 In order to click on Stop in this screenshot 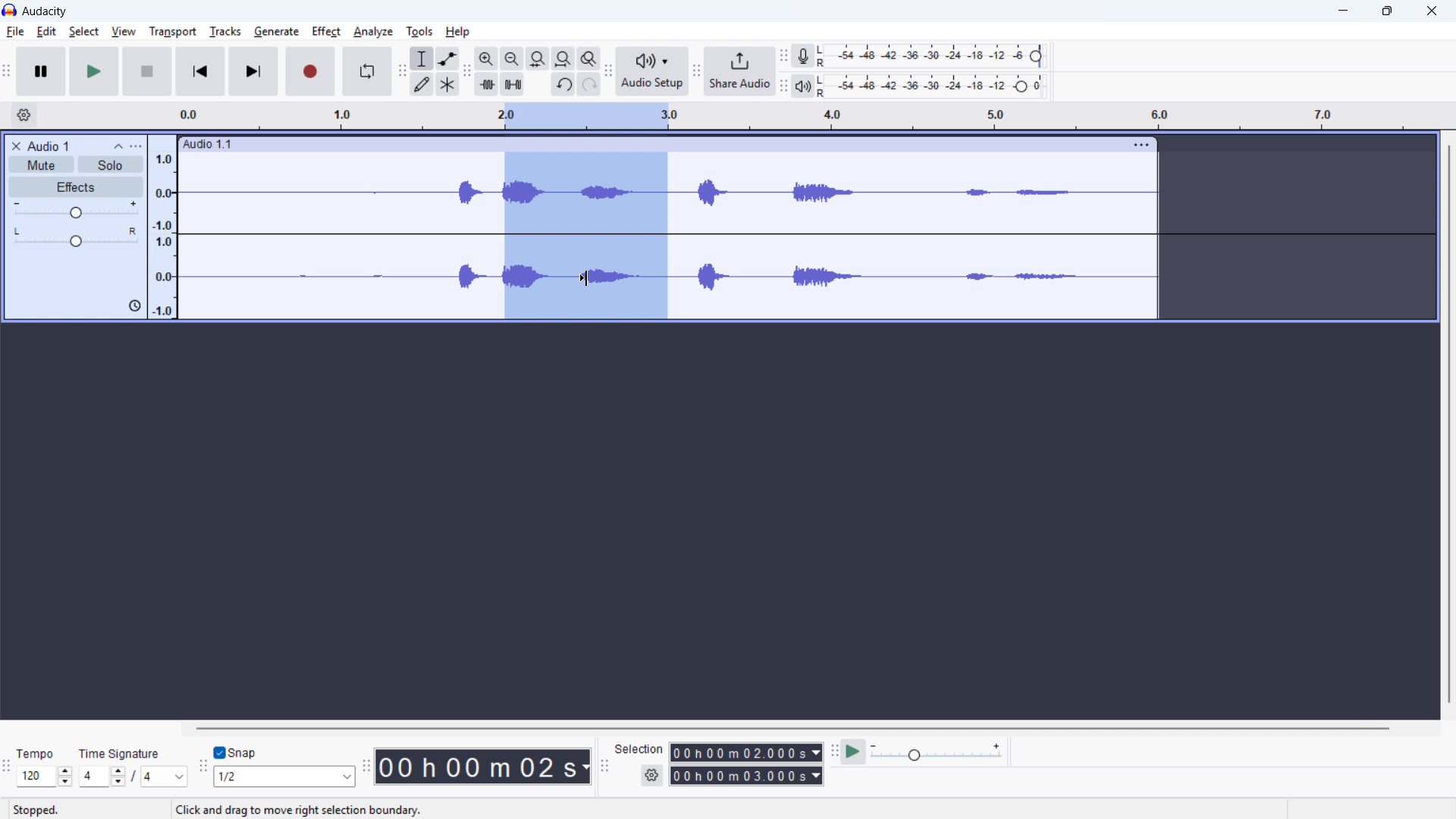, I will do `click(146, 72)`.